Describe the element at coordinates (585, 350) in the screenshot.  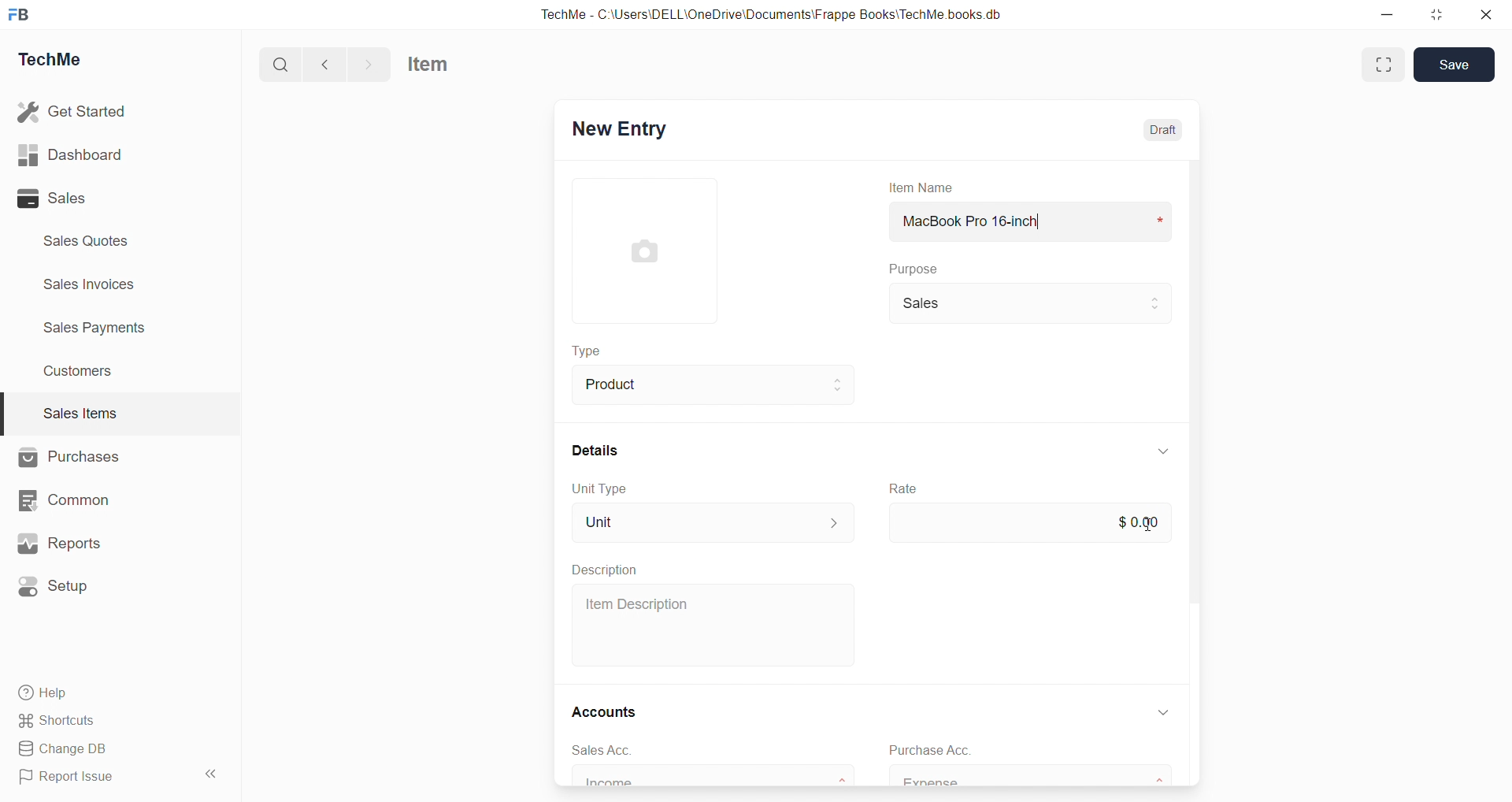
I see `Type` at that location.